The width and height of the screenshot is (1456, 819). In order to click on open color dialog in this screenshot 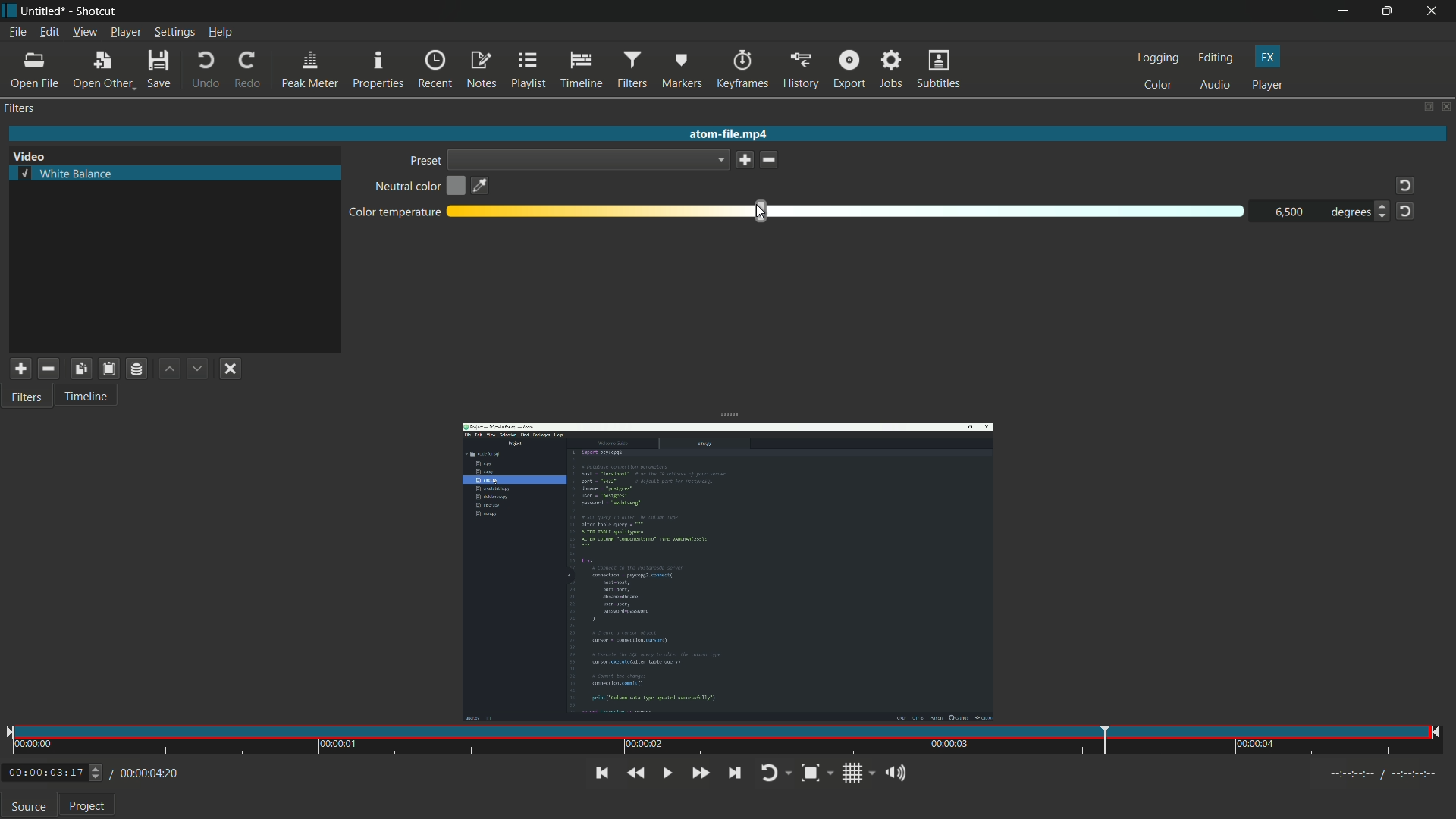, I will do `click(457, 187)`.